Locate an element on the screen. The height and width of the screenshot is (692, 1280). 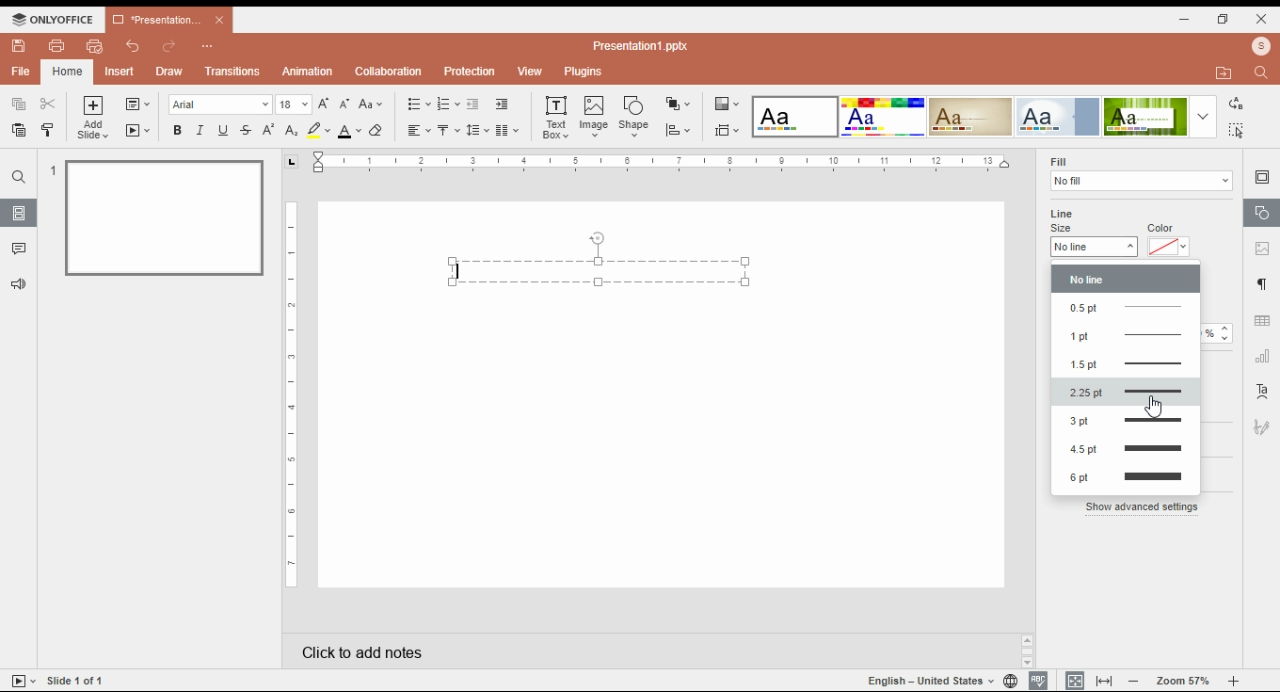
arrange shapes is located at coordinates (679, 103).